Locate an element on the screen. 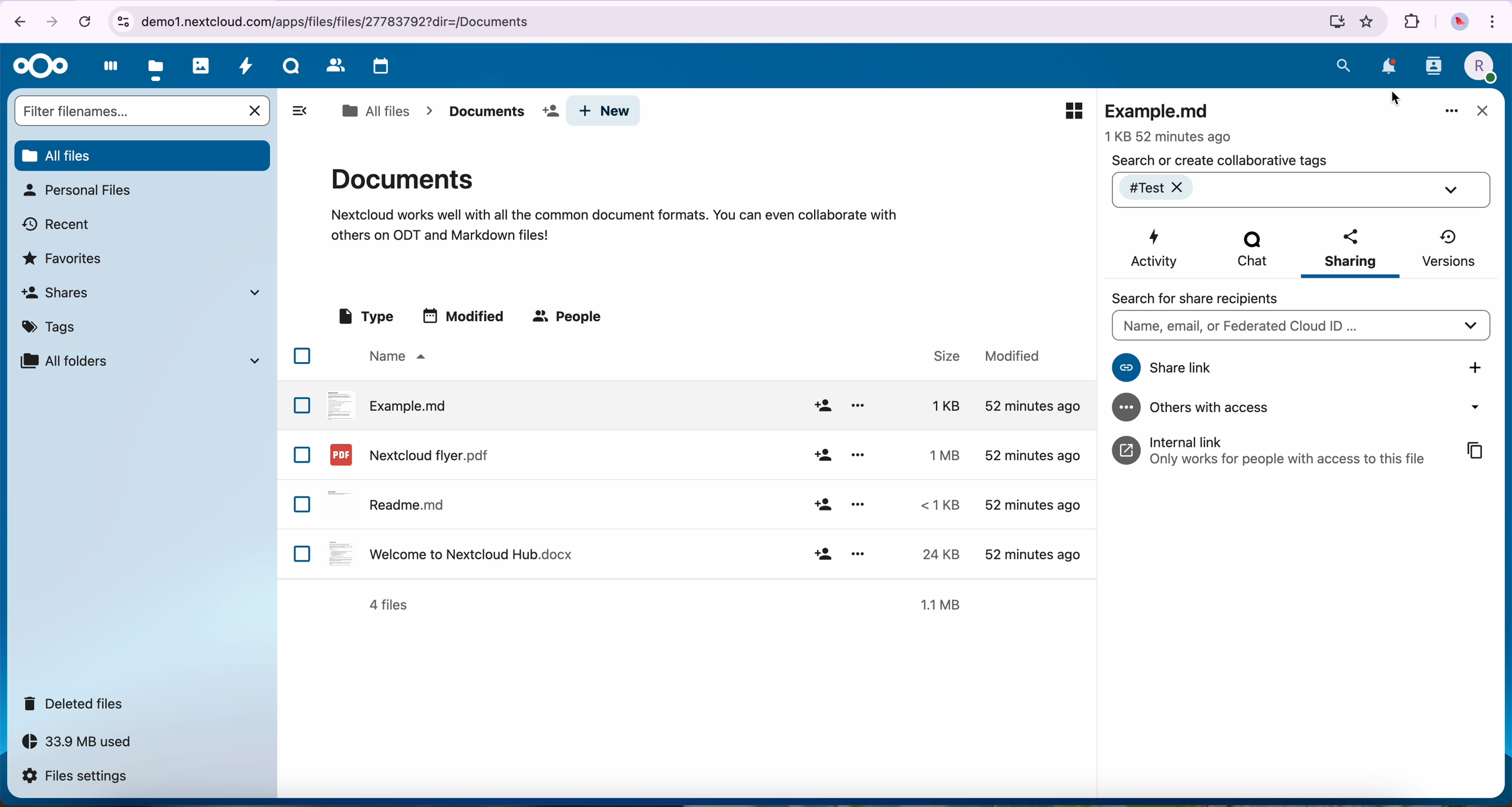  notifications is located at coordinates (1386, 66).